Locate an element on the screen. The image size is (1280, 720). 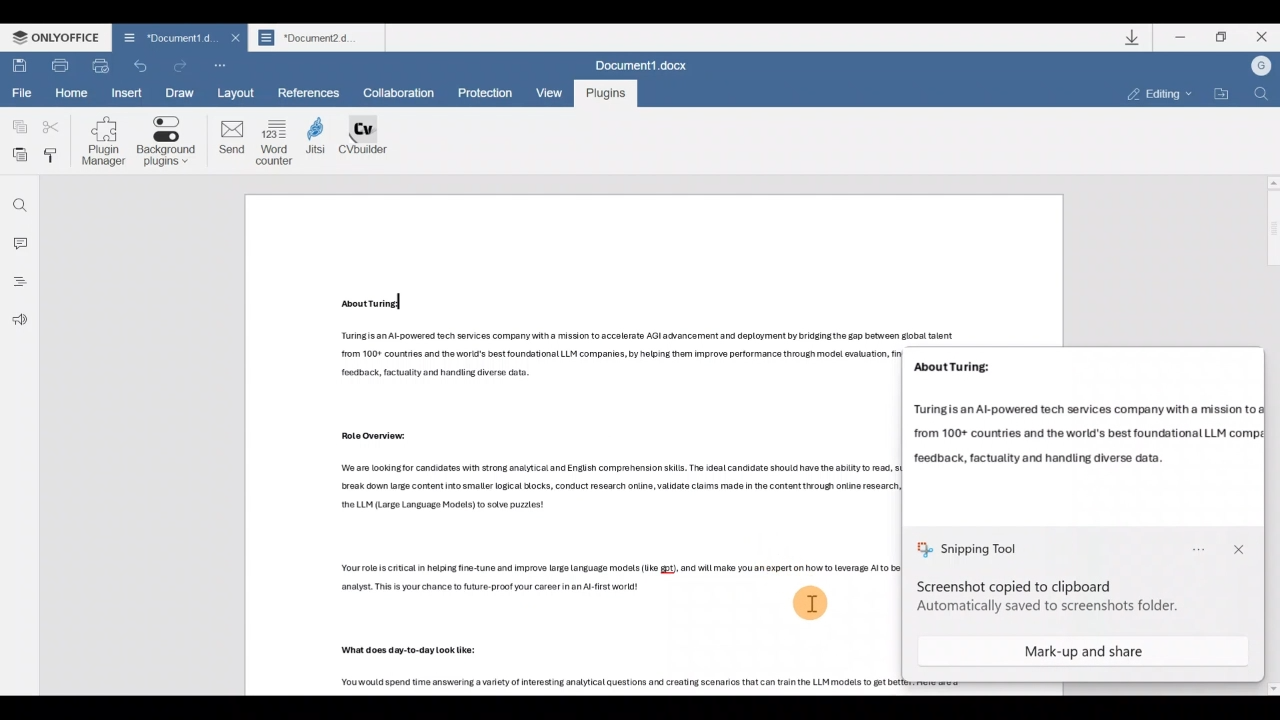
Paste is located at coordinates (17, 156).